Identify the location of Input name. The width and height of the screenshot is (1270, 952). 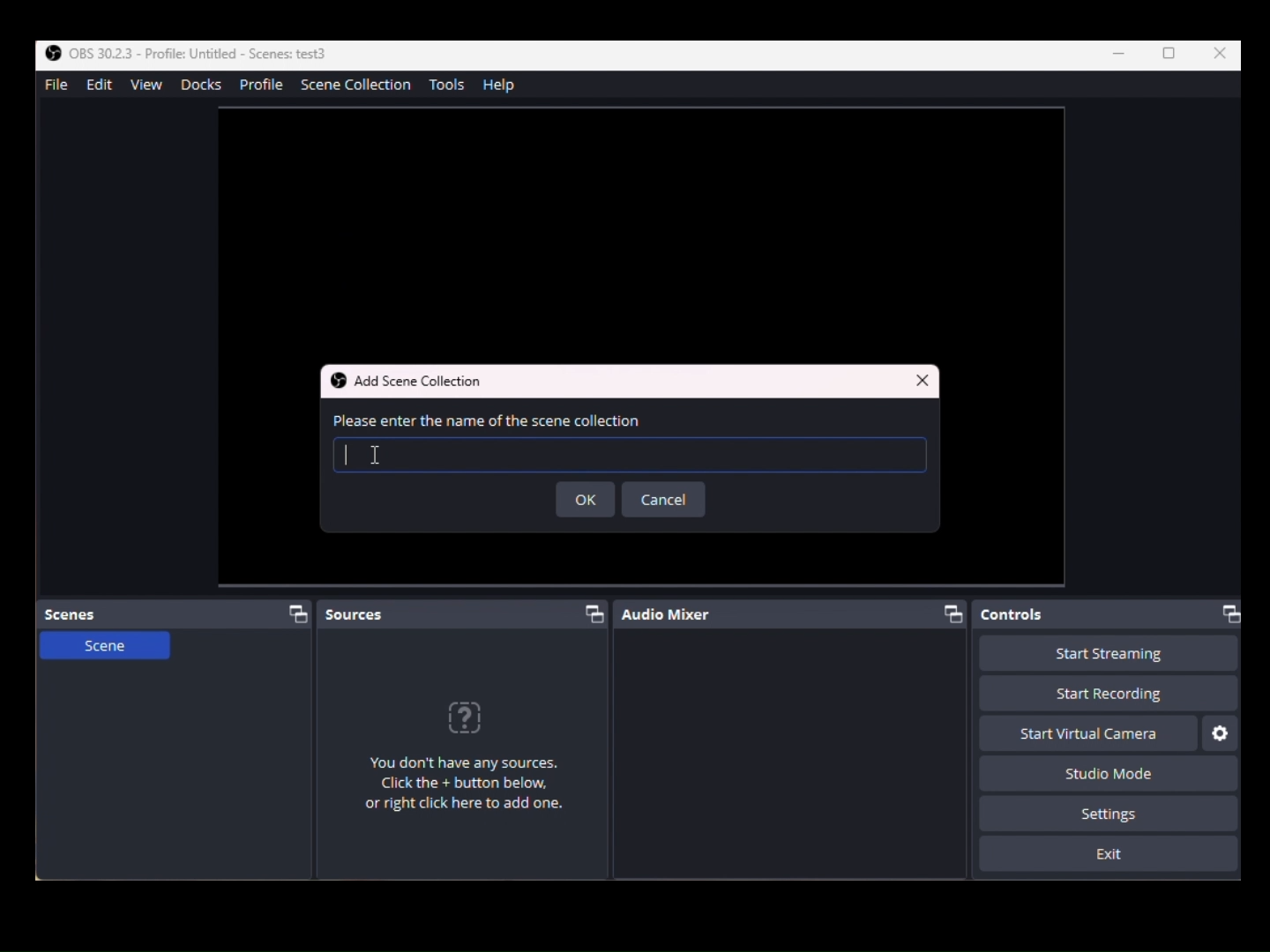
(626, 457).